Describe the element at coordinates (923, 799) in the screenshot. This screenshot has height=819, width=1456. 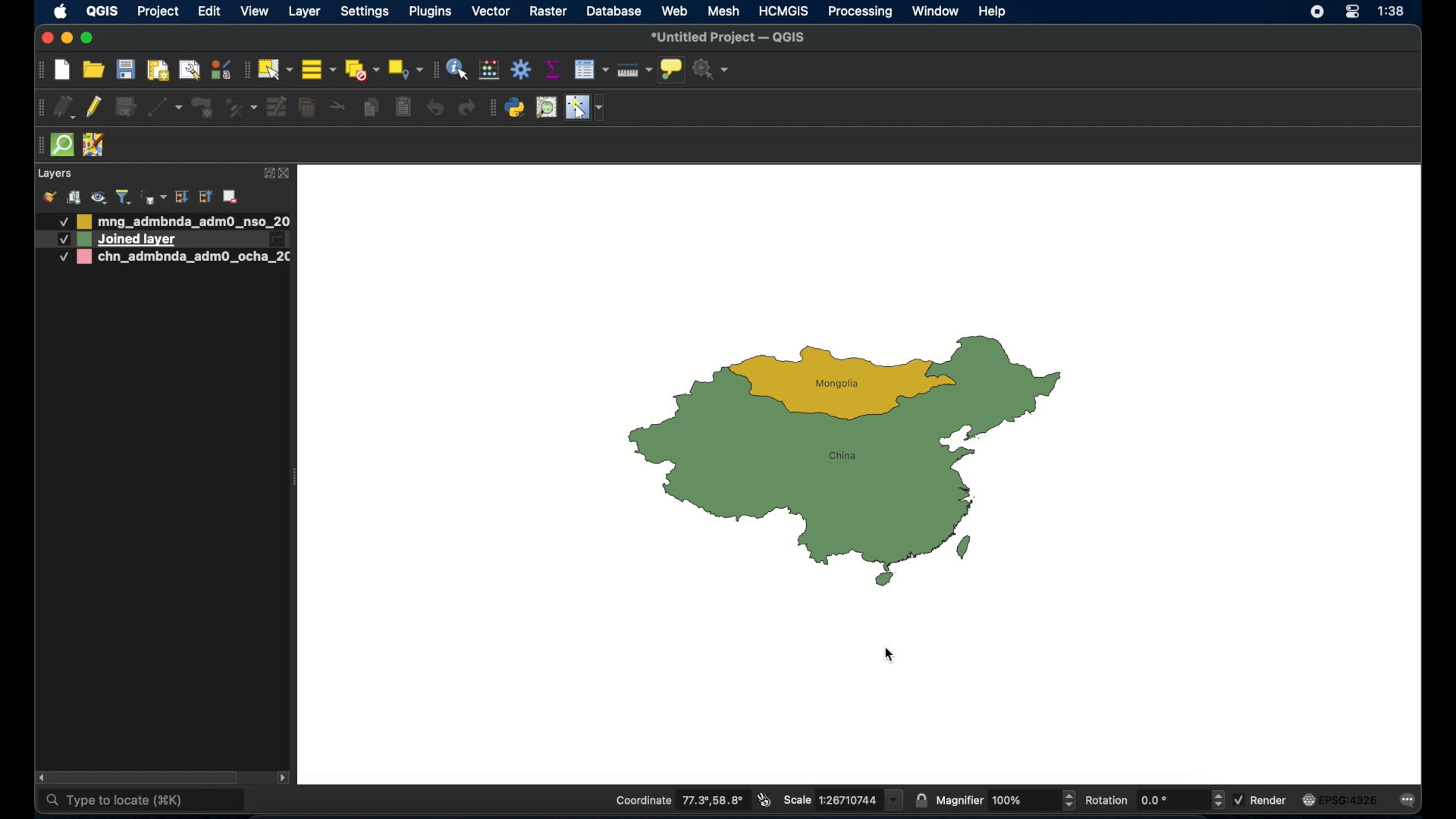
I see `lock scale` at that location.